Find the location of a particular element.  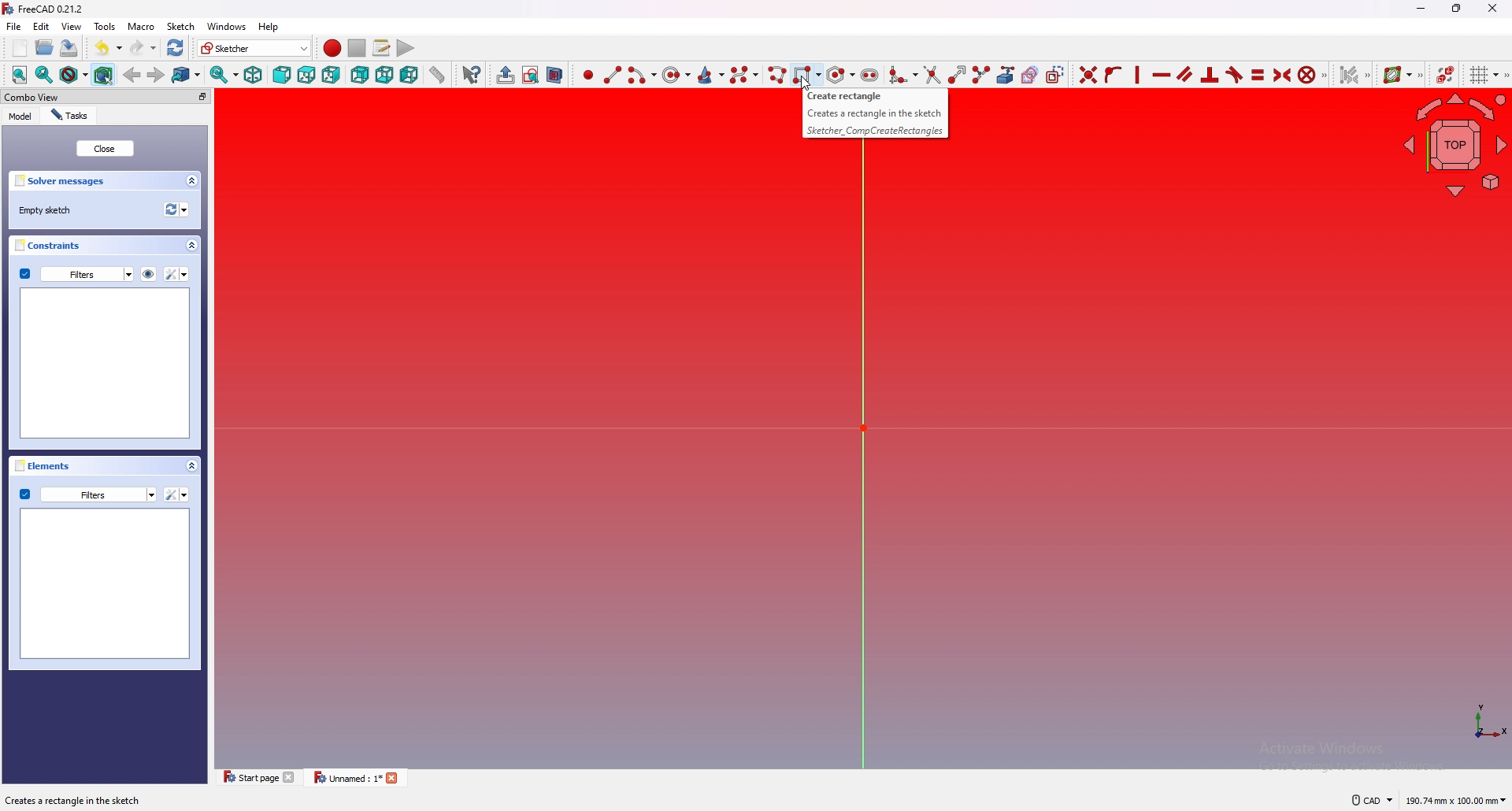

bounding box is located at coordinates (104, 75).